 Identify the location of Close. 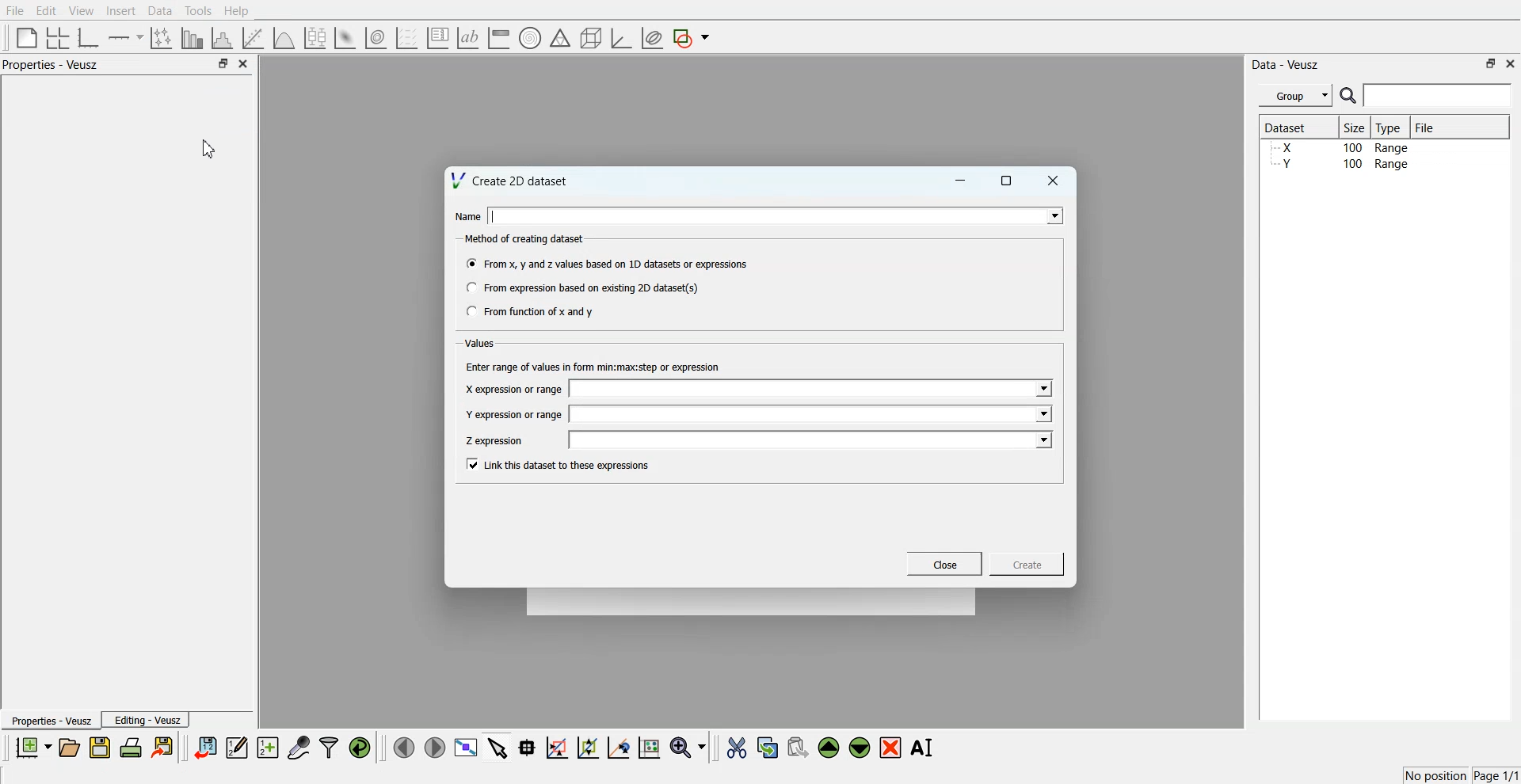
(1054, 181).